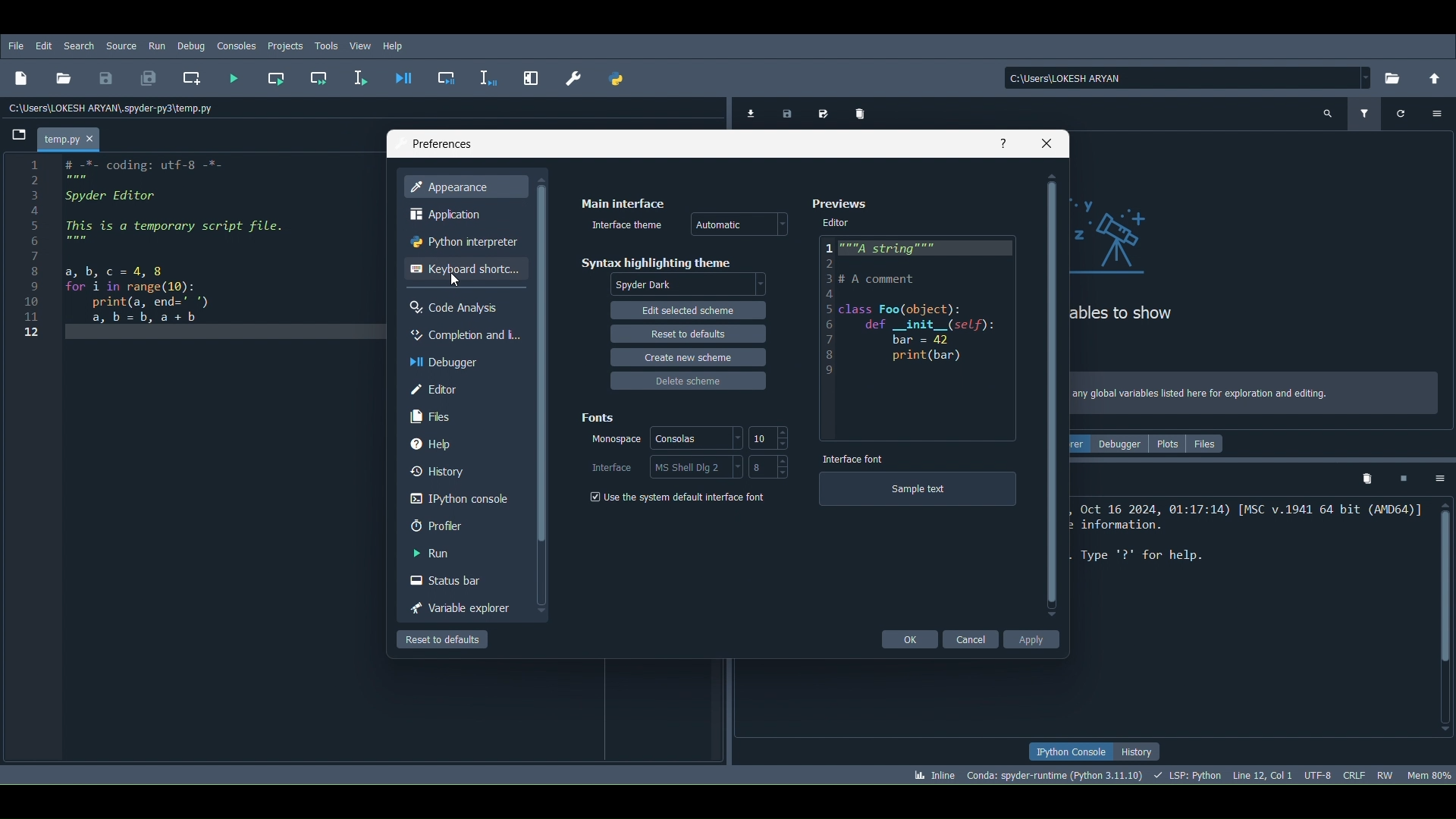  I want to click on Open file (Ctrl + O), so click(64, 76).